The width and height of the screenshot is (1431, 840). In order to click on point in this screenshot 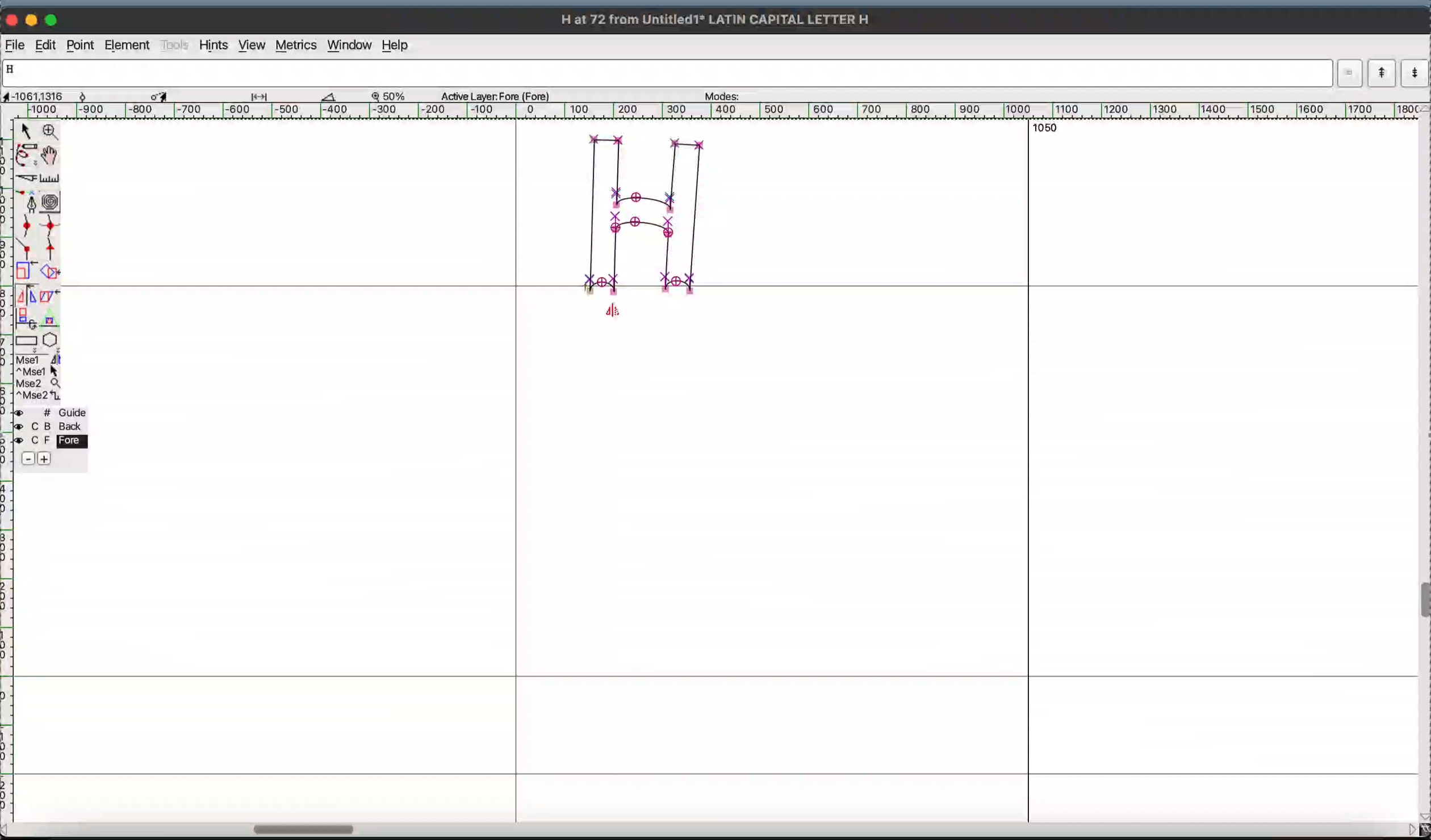, I will do `click(81, 45)`.